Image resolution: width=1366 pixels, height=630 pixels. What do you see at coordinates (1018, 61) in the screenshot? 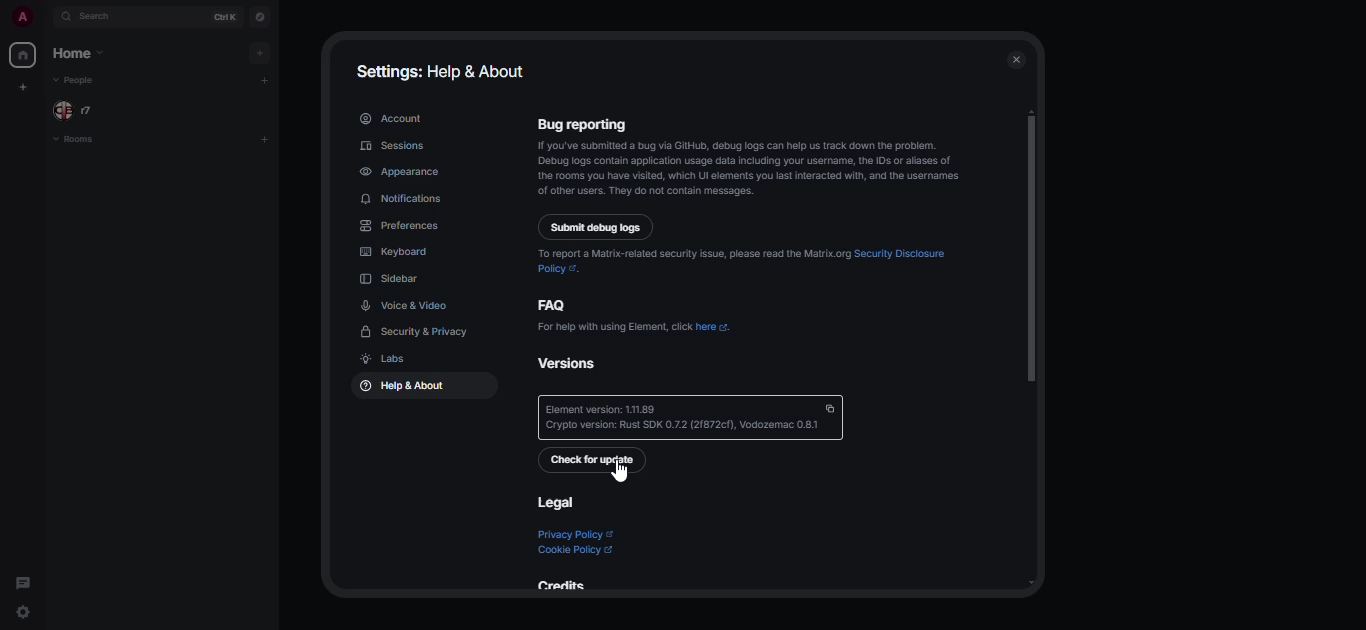
I see `close` at bounding box center [1018, 61].